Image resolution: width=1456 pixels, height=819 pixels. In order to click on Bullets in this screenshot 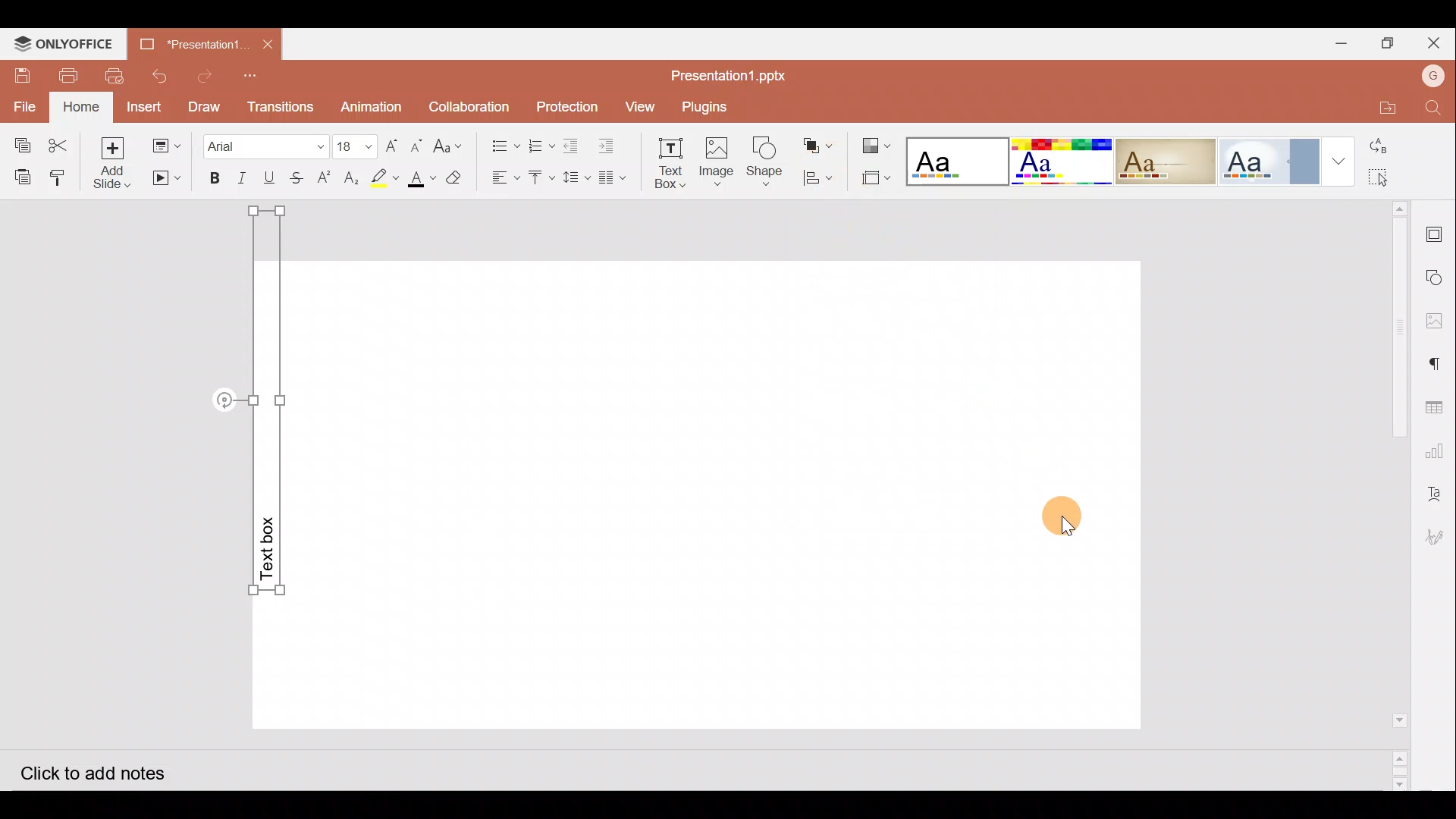, I will do `click(501, 142)`.